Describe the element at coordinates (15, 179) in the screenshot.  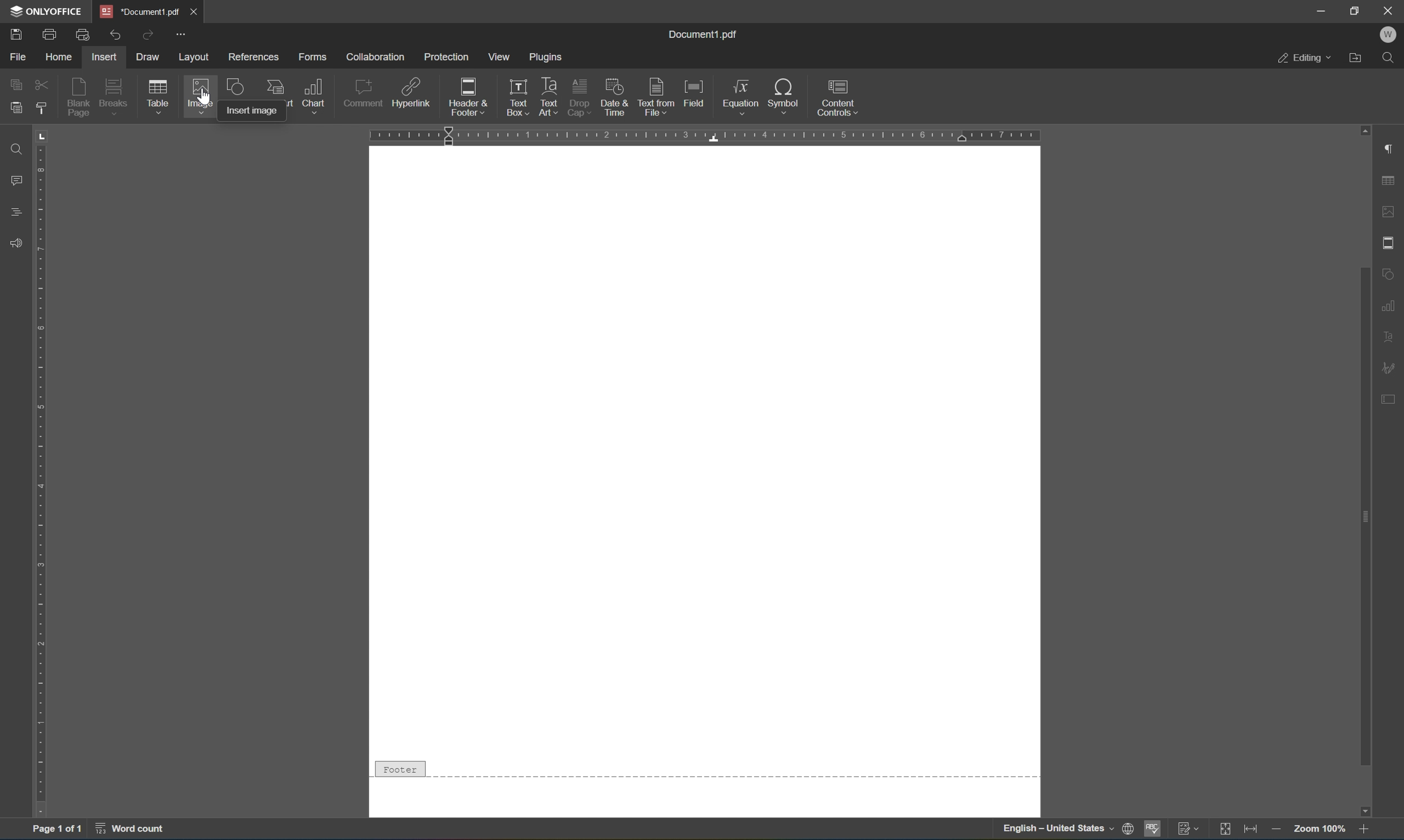
I see `comments` at that location.